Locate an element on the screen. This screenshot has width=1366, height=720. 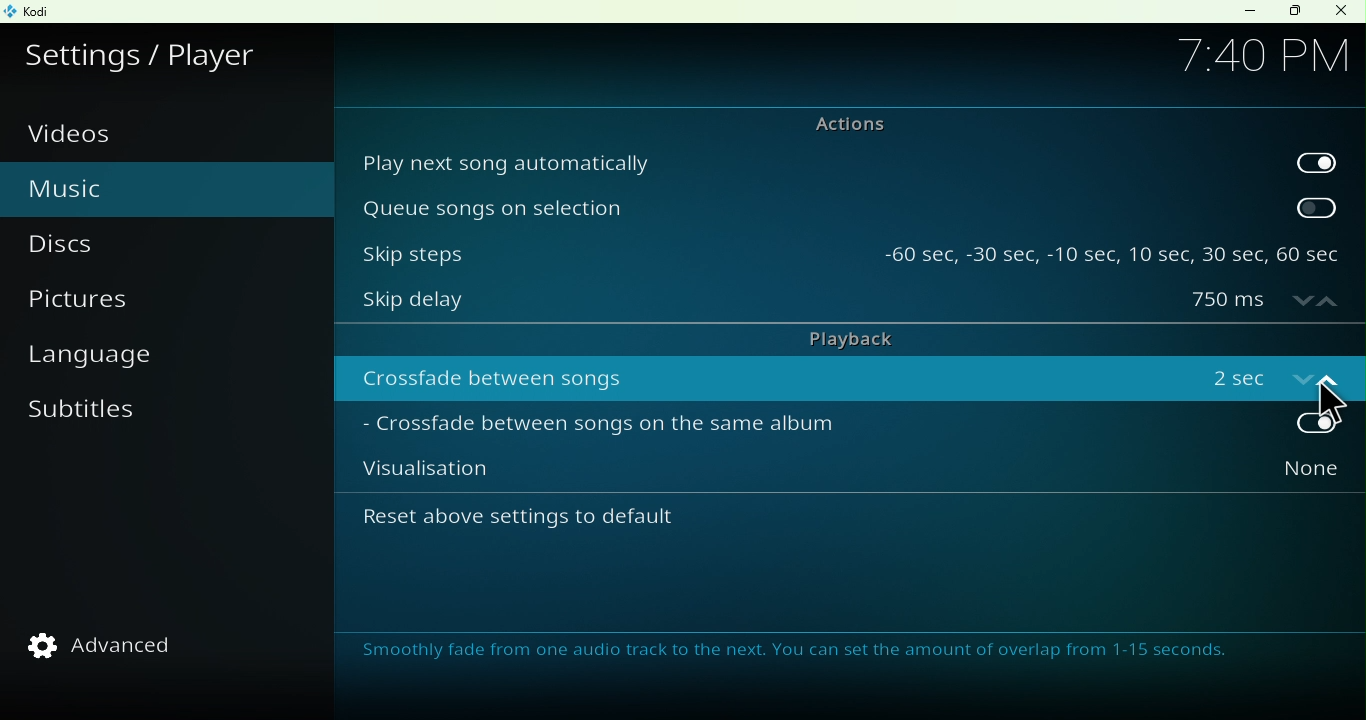
Minimize is located at coordinates (1245, 11).